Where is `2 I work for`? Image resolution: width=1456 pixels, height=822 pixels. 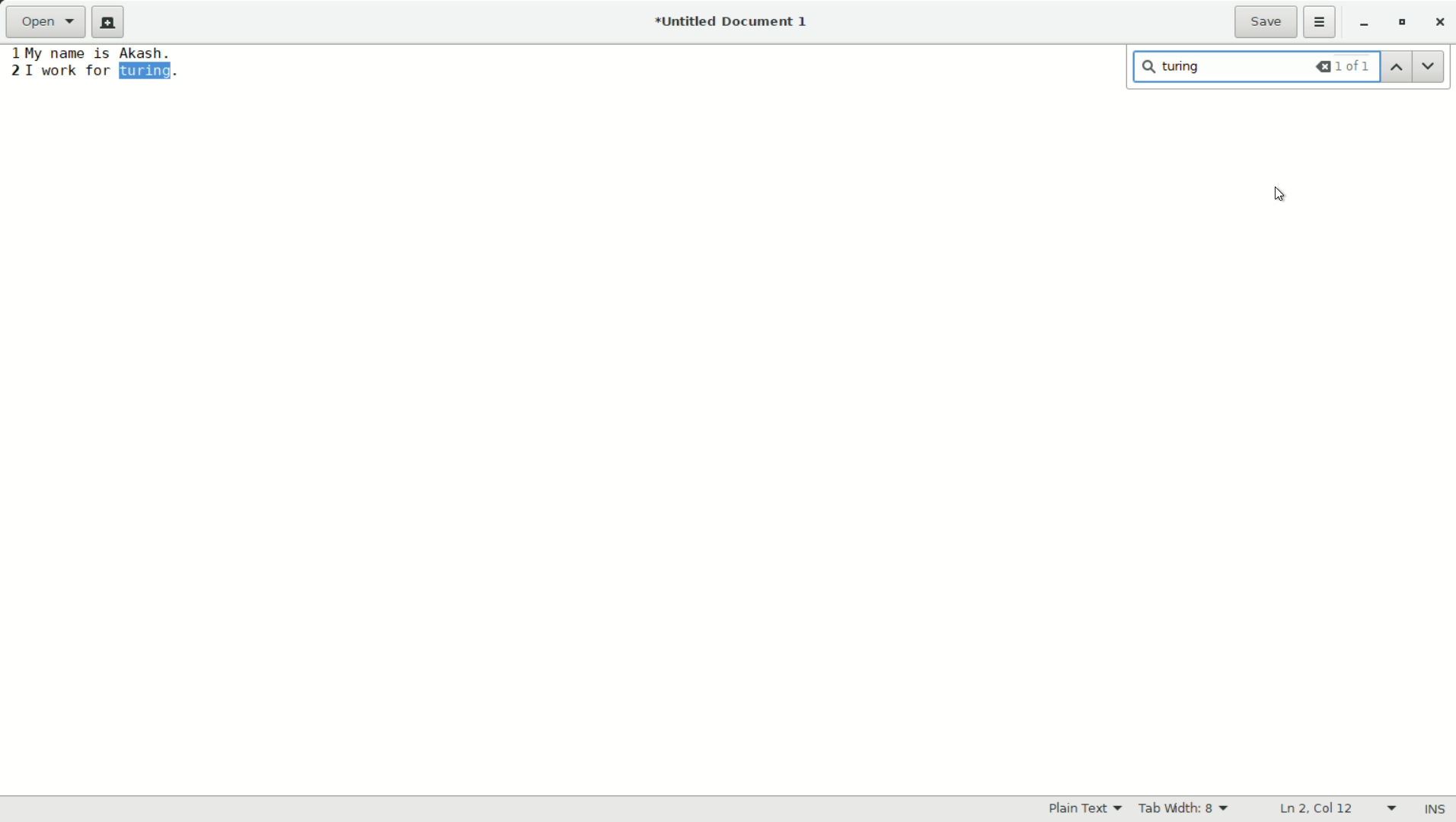
2 I work for is located at coordinates (62, 70).